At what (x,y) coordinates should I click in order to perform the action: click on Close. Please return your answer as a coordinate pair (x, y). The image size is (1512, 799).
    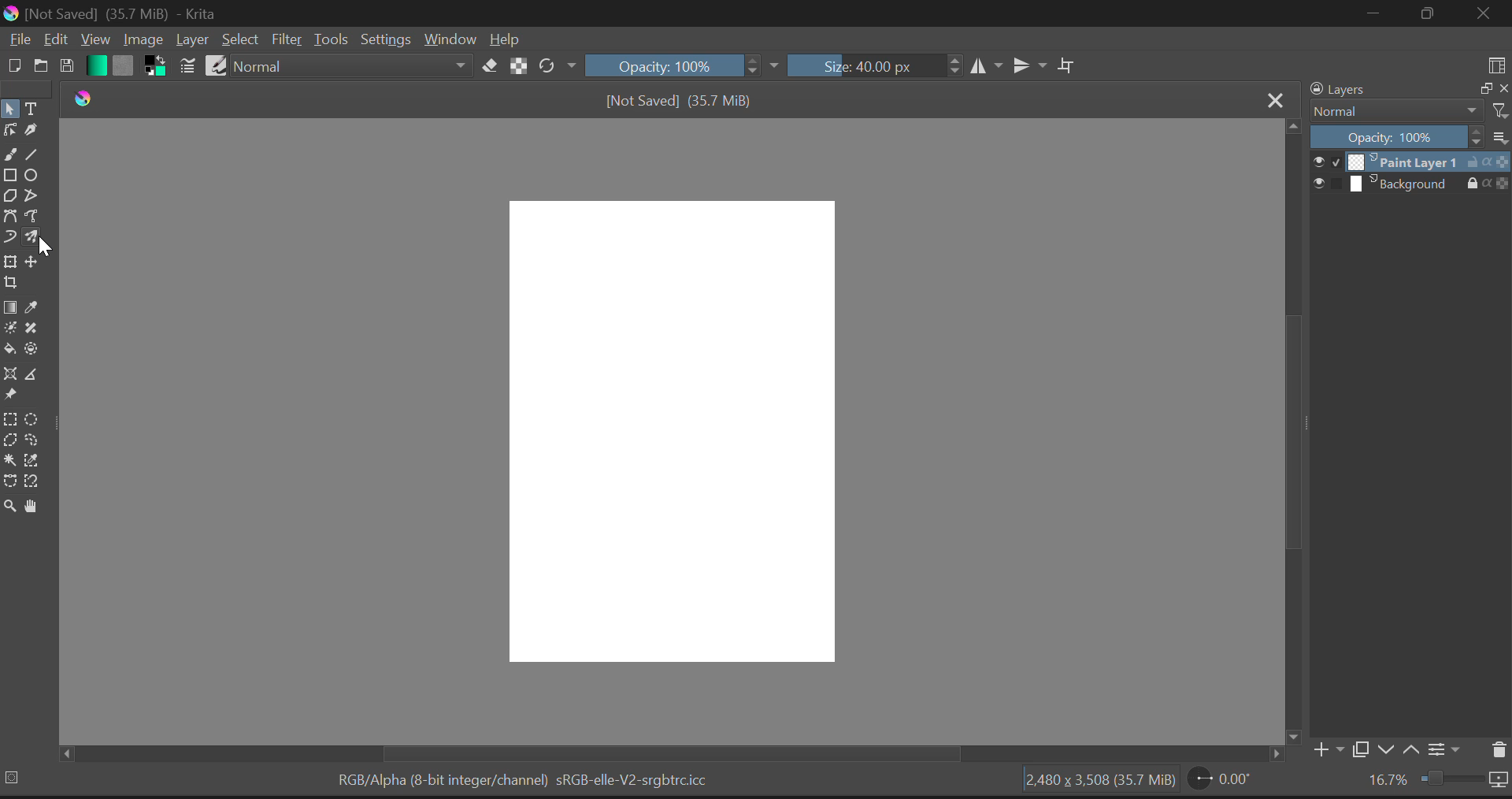
    Looking at the image, I should click on (1276, 100).